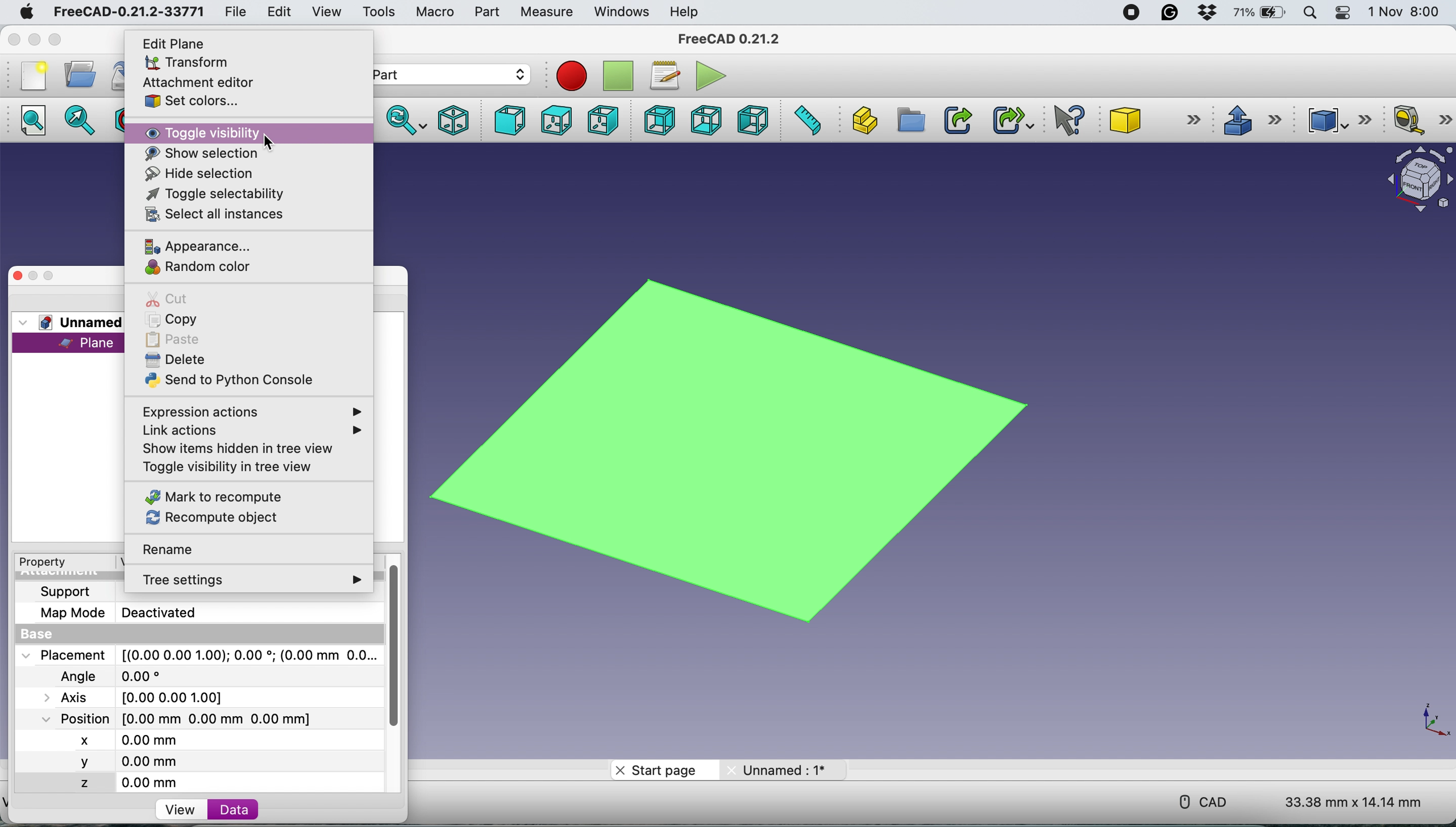  What do you see at coordinates (115, 614) in the screenshot?
I see `Map Mode Deactivated` at bounding box center [115, 614].